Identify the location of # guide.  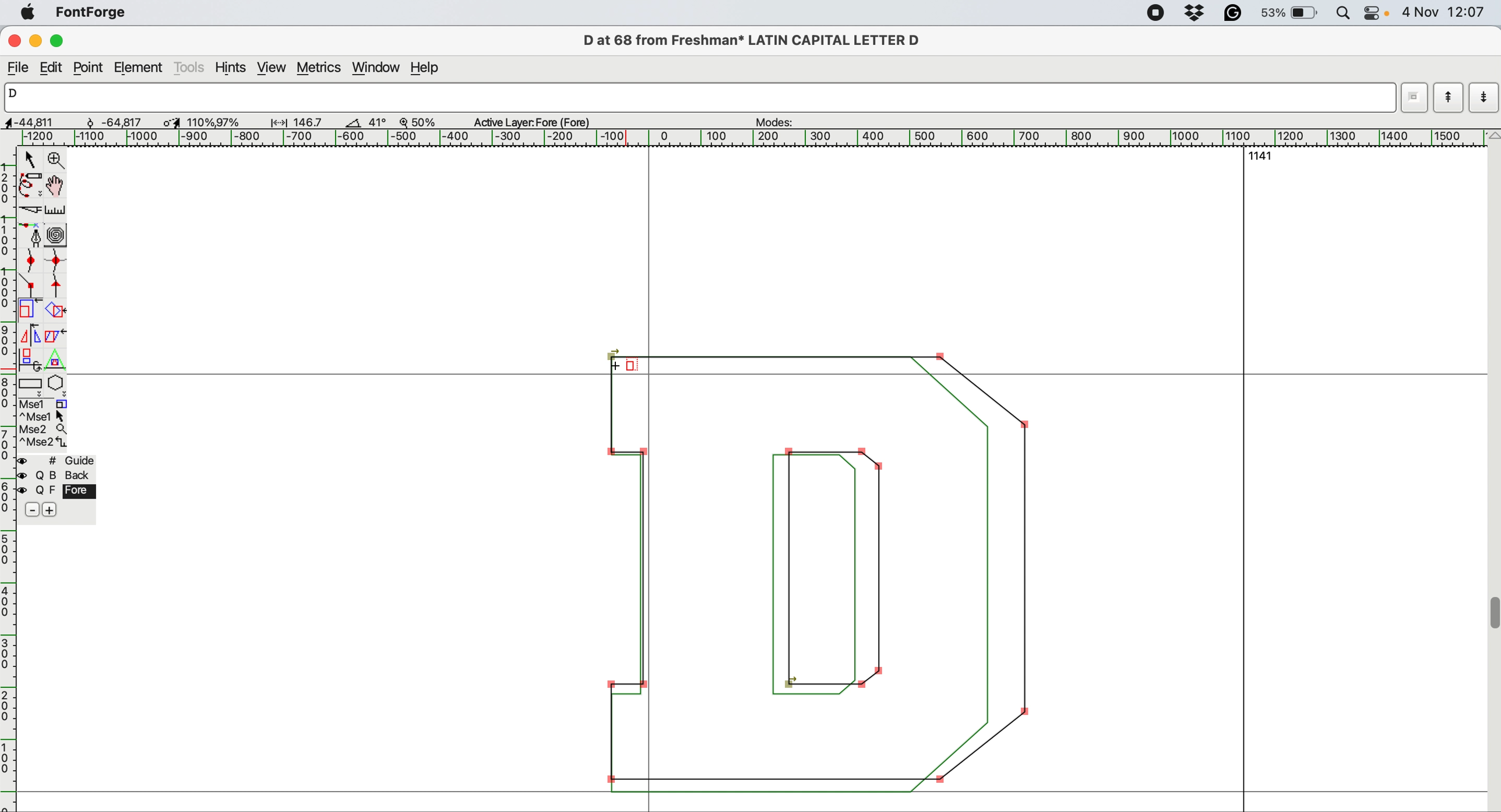
(61, 461).